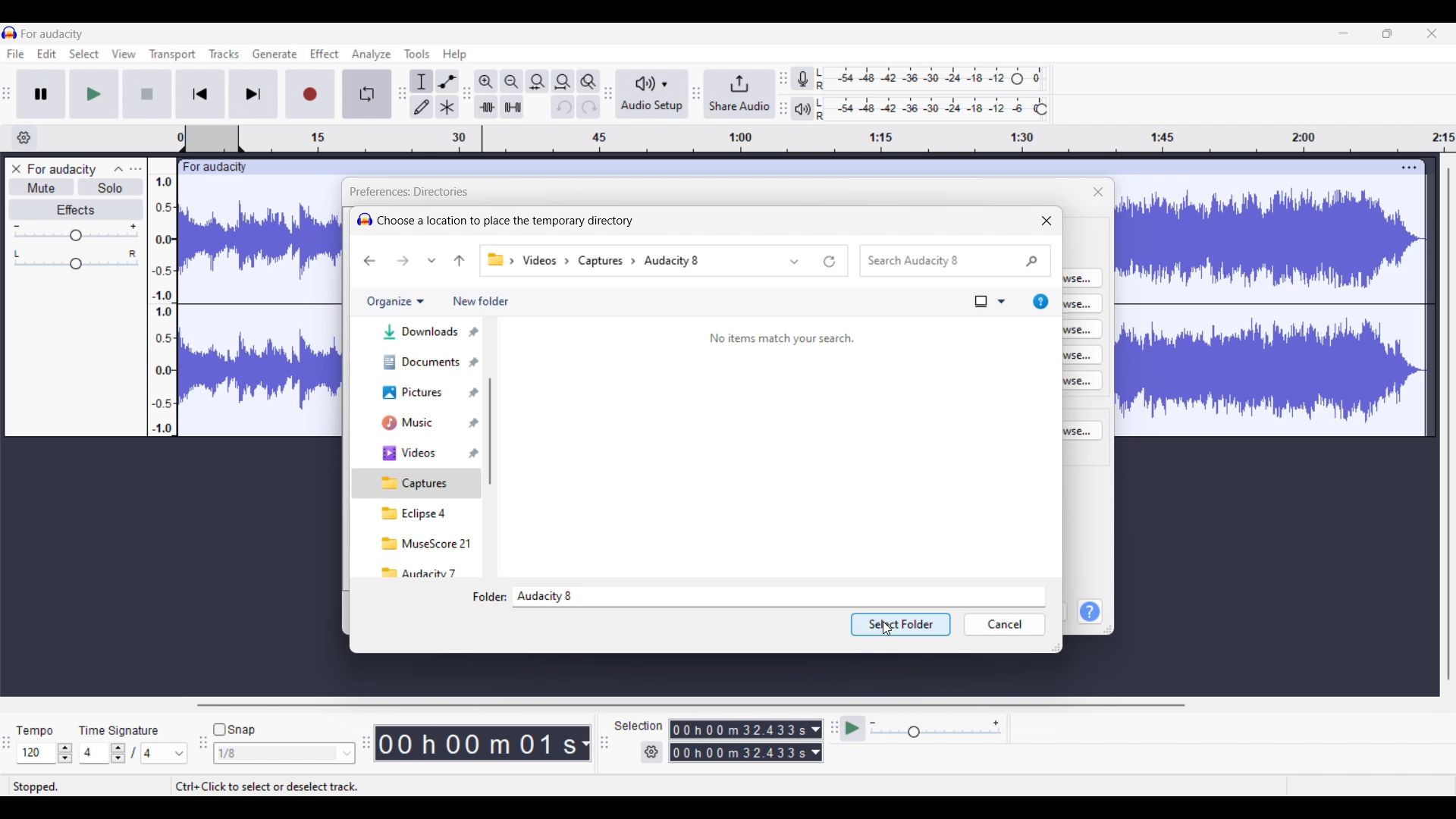  I want to click on Input tempo, so click(36, 753).